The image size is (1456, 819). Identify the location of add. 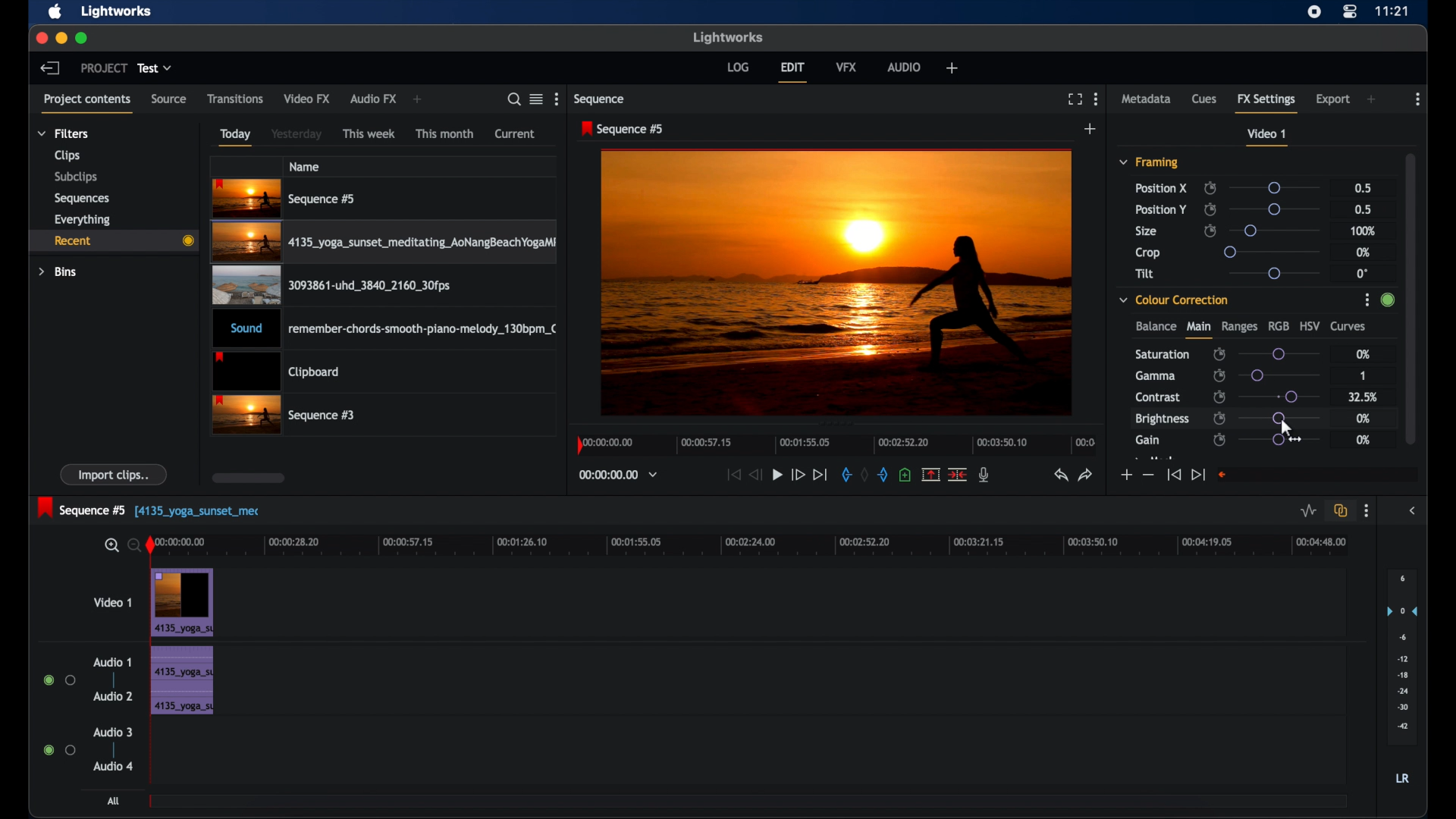
(1373, 99).